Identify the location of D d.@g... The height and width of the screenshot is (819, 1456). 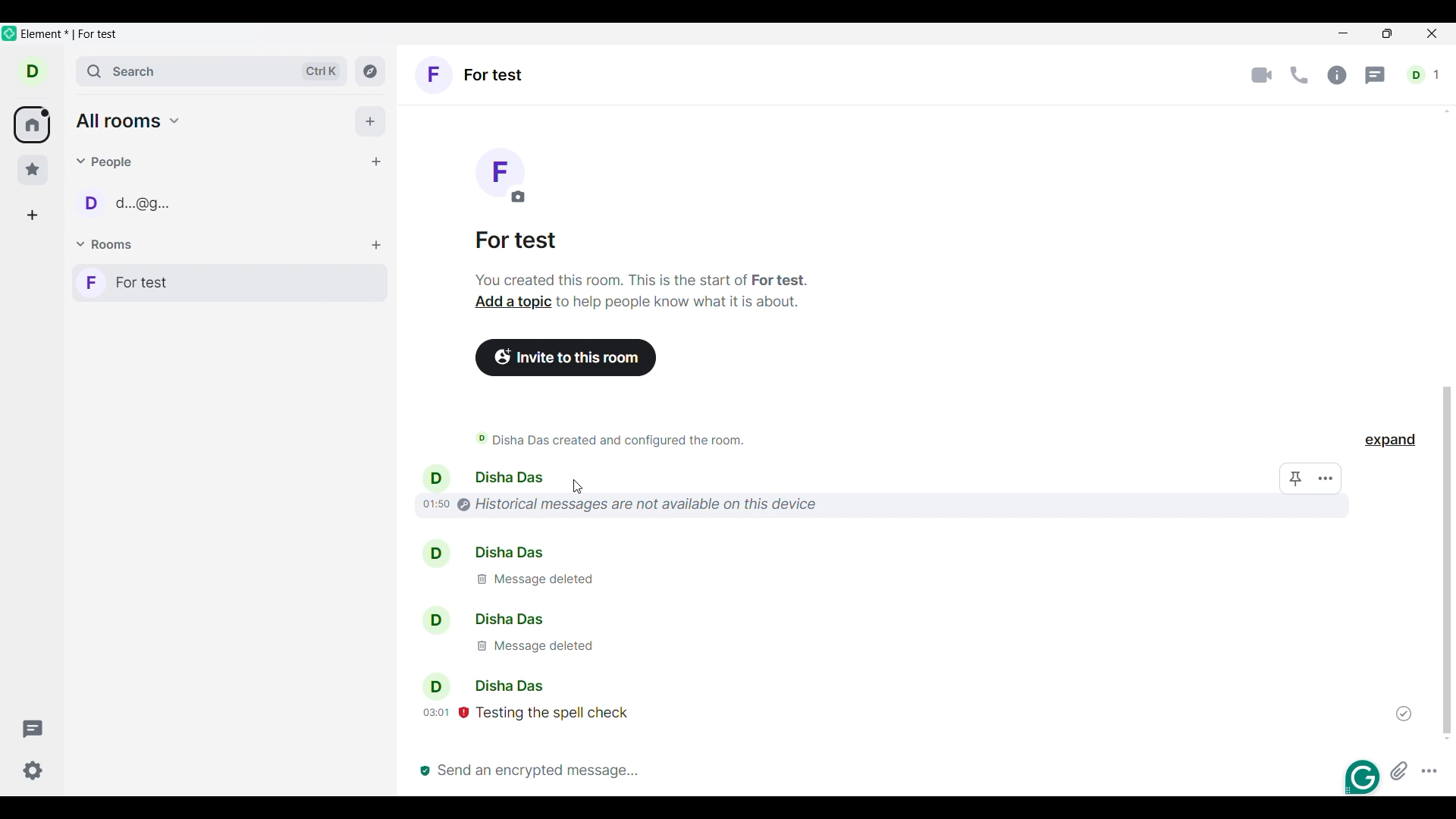
(134, 209).